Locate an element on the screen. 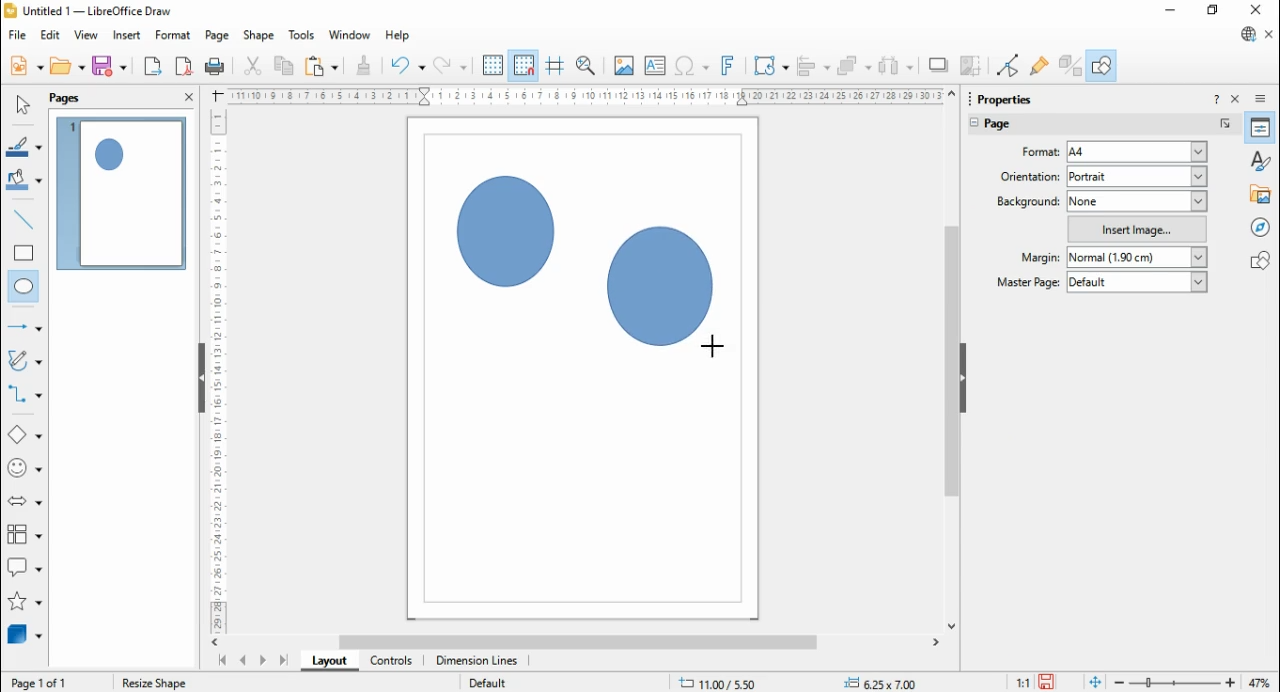 The image size is (1280, 692). sidebar deck settings is located at coordinates (1262, 99).